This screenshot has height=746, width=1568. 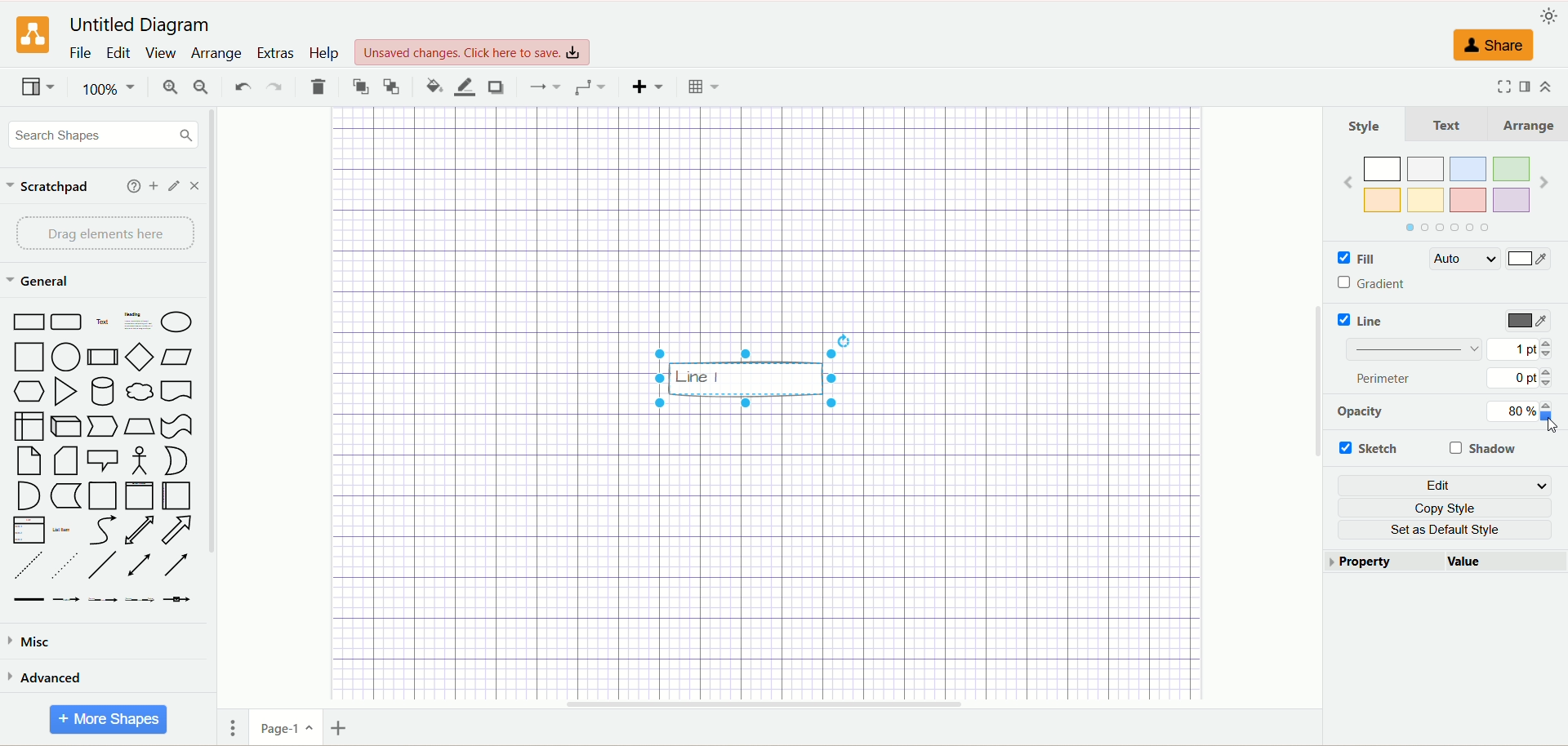 I want to click on fullscreen, so click(x=1499, y=87).